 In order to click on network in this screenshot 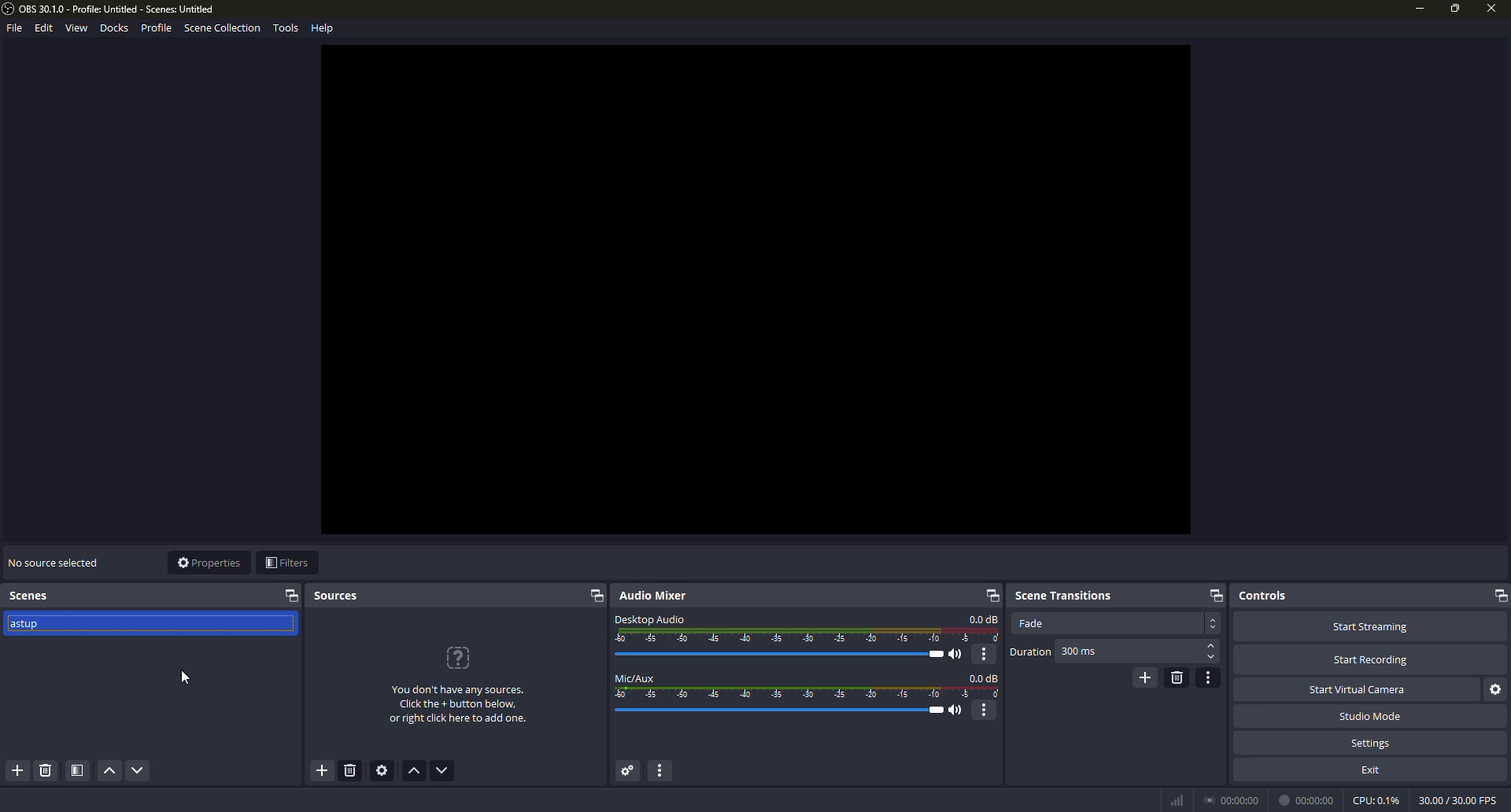, I will do `click(1176, 799)`.